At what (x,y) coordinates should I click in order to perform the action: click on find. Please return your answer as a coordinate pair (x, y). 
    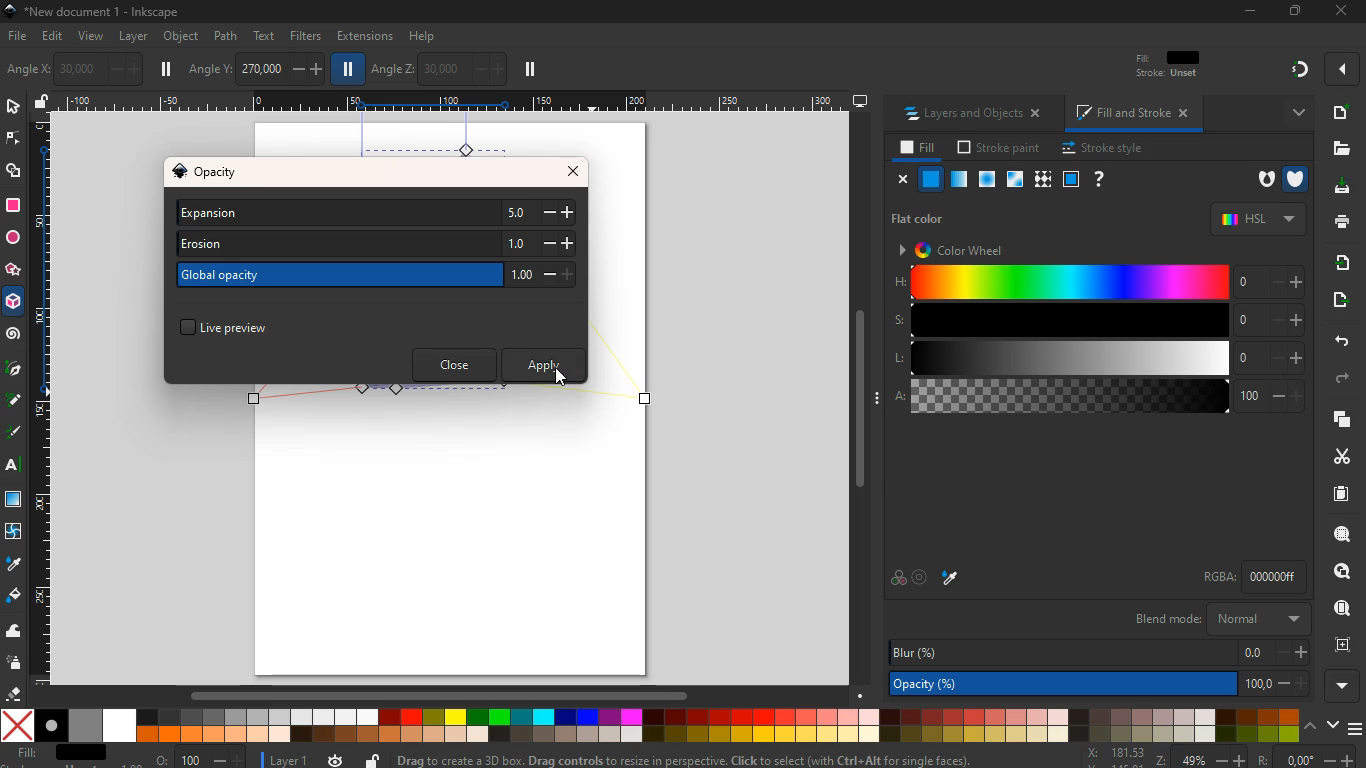
    Looking at the image, I should click on (1343, 571).